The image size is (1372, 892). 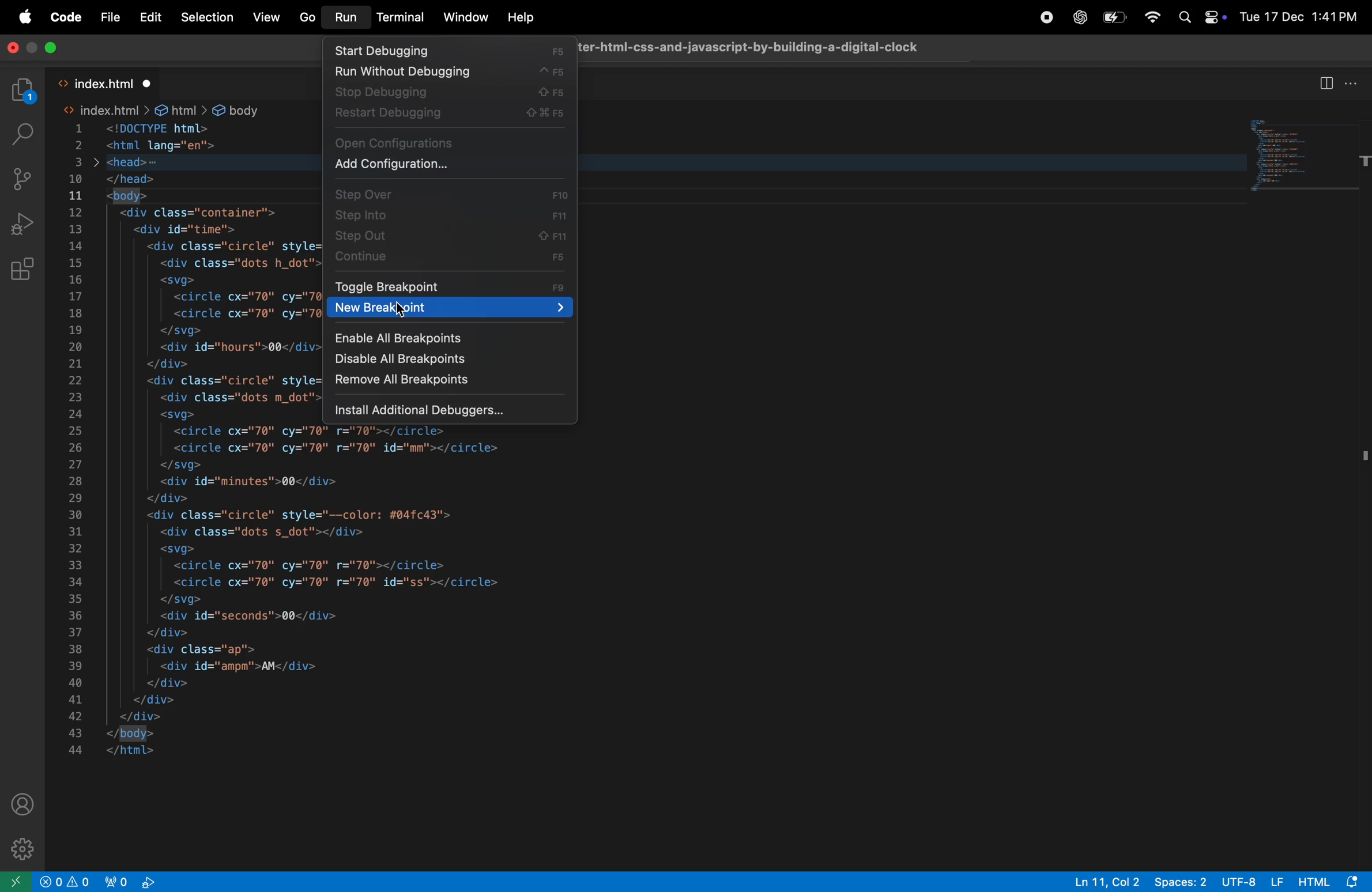 I want to click on continue, so click(x=450, y=257).